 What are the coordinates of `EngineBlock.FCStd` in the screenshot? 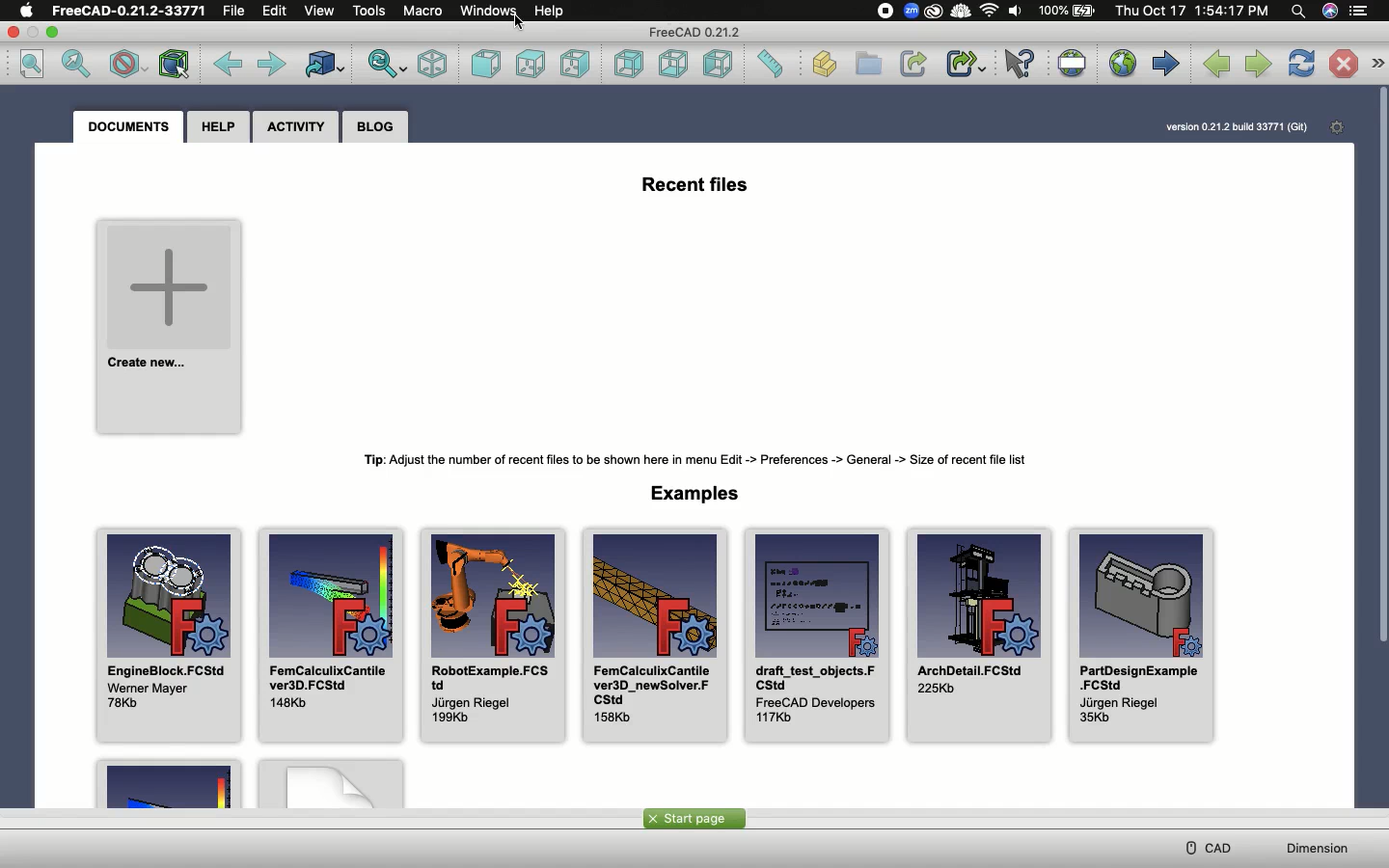 It's located at (170, 636).